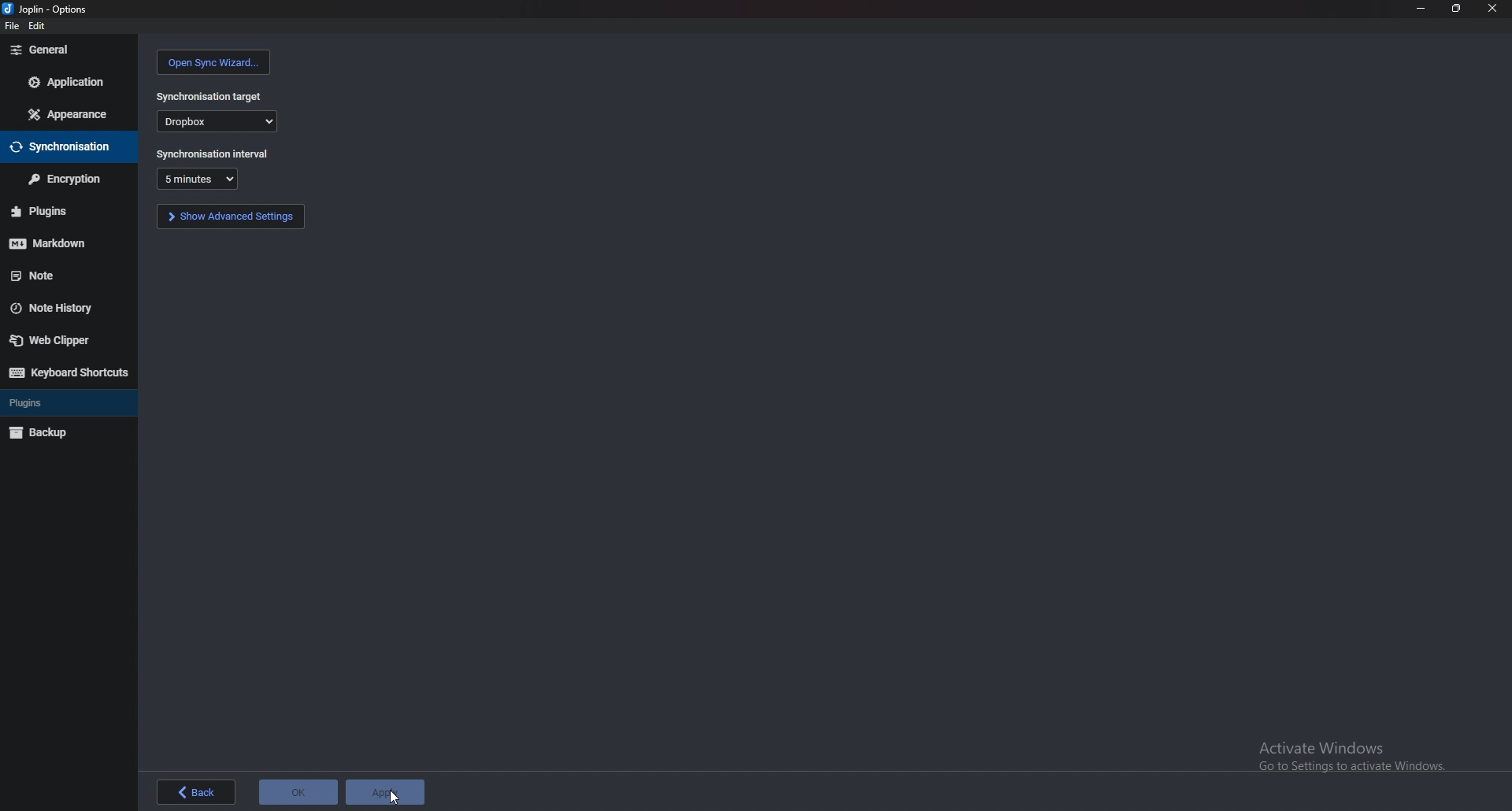 This screenshot has height=811, width=1512. What do you see at coordinates (385, 791) in the screenshot?
I see `apply` at bounding box center [385, 791].